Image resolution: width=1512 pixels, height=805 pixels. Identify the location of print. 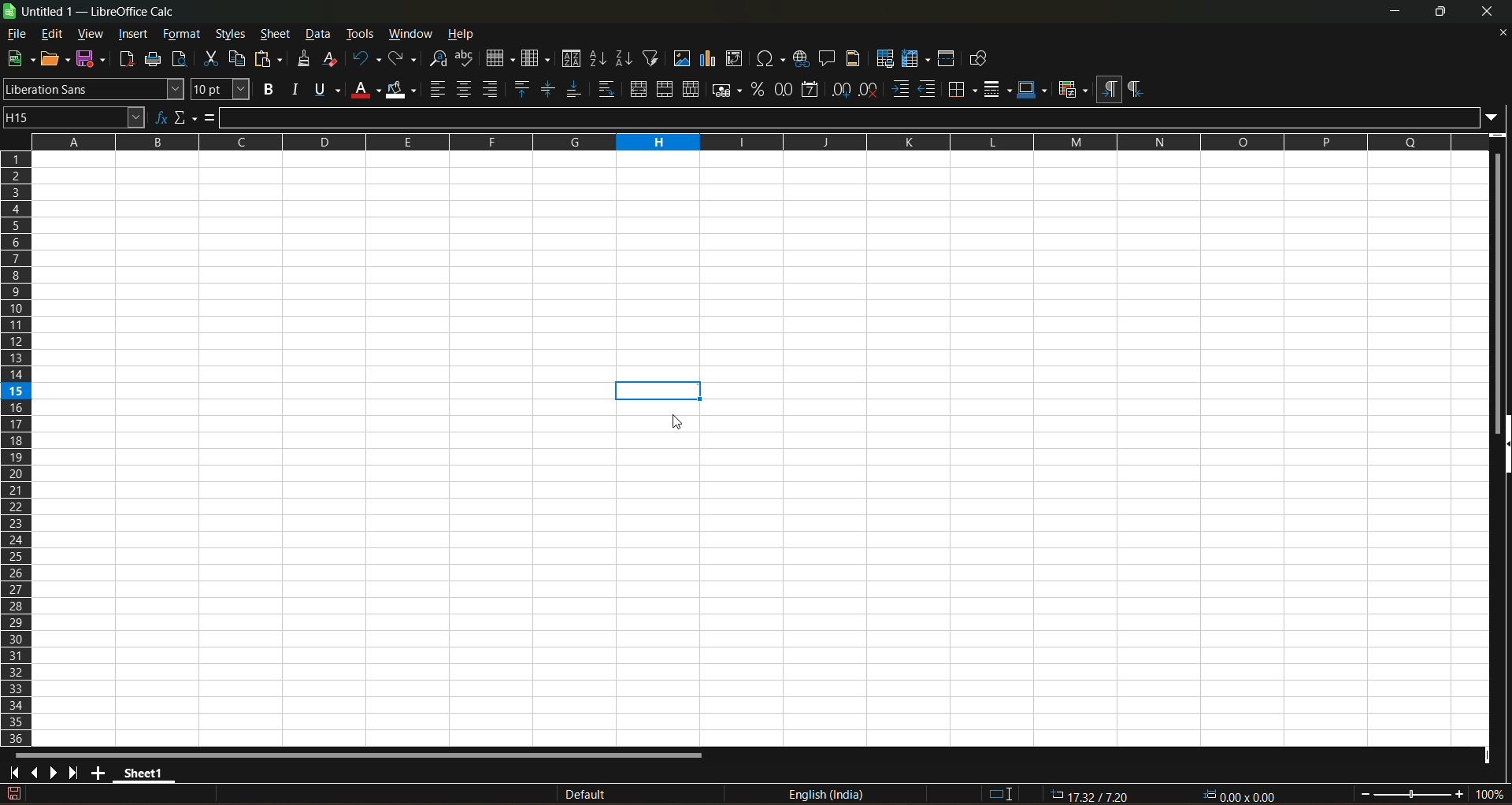
(154, 59).